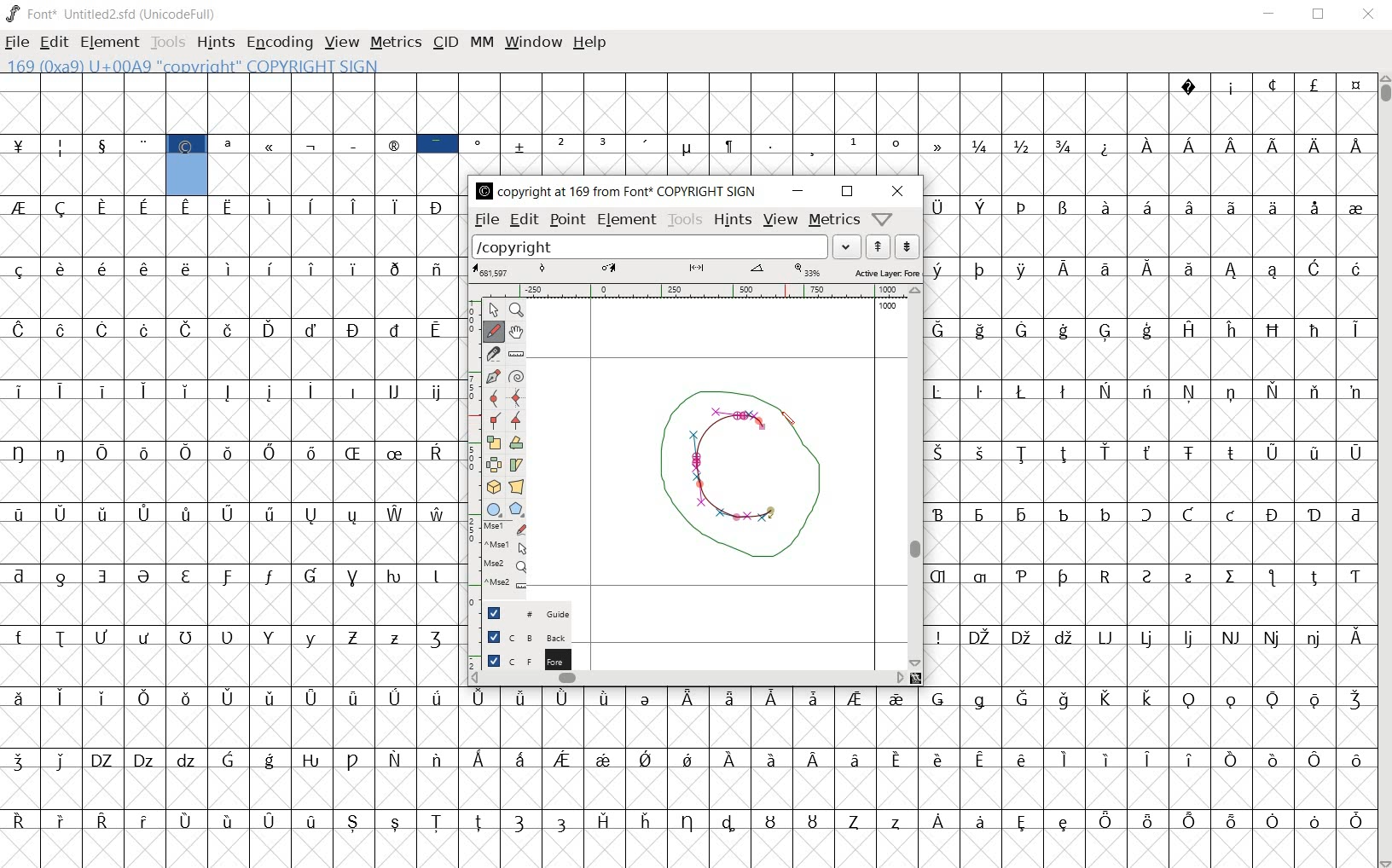 This screenshot has height=868, width=1392. I want to click on pencil tool/CURSOR LOCATION, so click(789, 425).